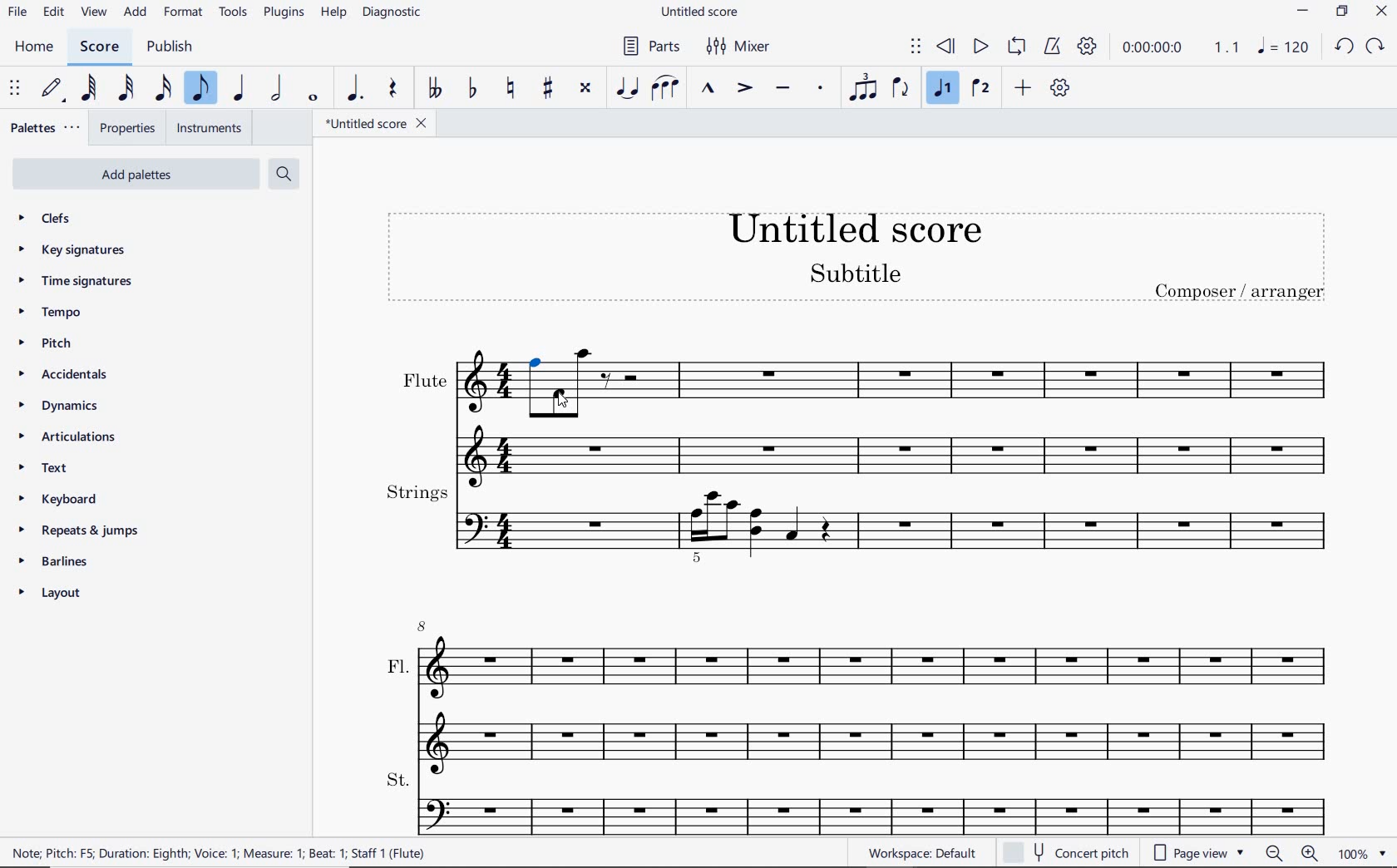  What do you see at coordinates (980, 89) in the screenshot?
I see `VOICE 2` at bounding box center [980, 89].